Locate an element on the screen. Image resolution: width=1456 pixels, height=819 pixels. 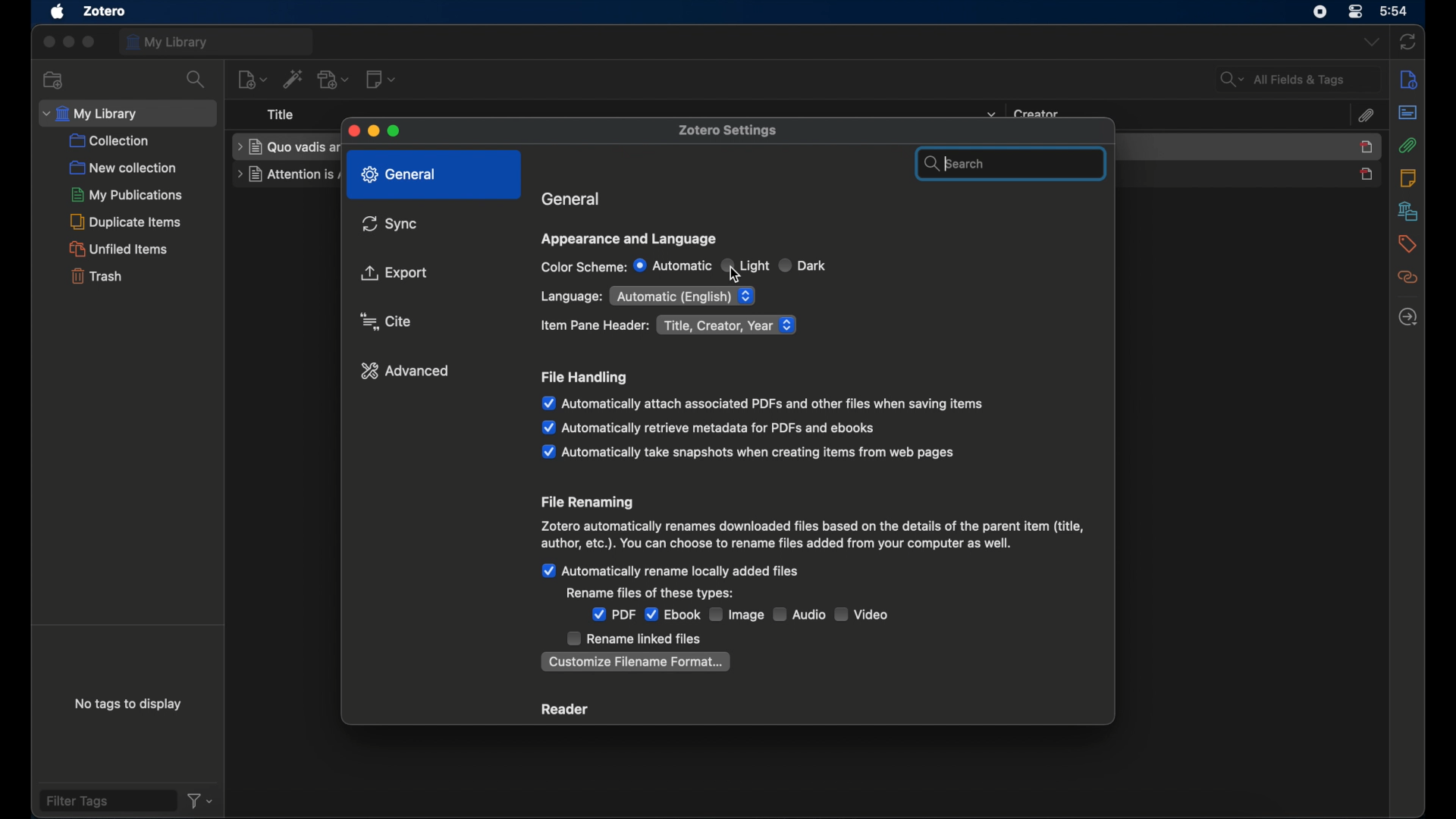
sync is located at coordinates (391, 225).